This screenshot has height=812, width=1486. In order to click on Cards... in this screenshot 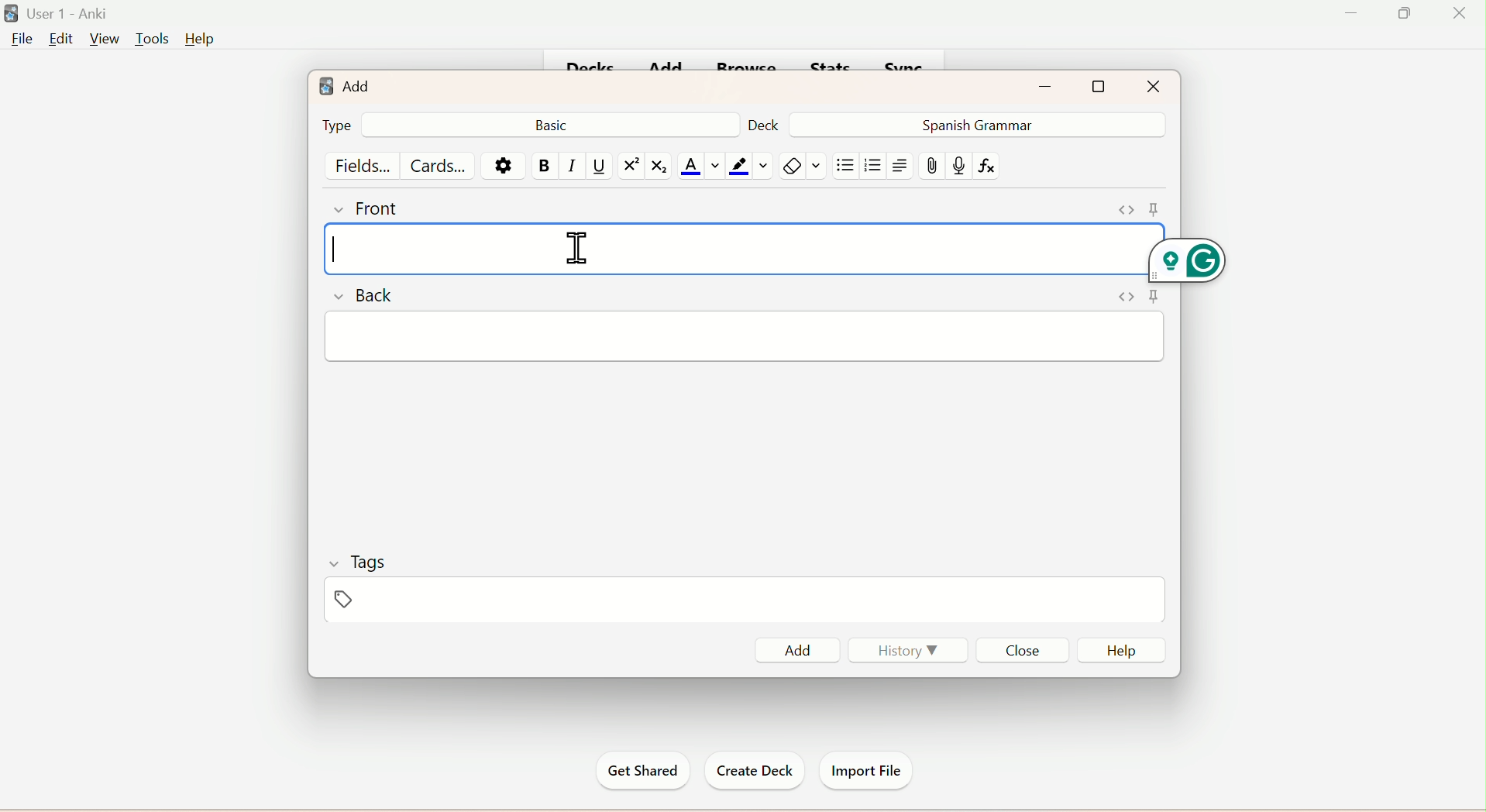, I will do `click(441, 165)`.